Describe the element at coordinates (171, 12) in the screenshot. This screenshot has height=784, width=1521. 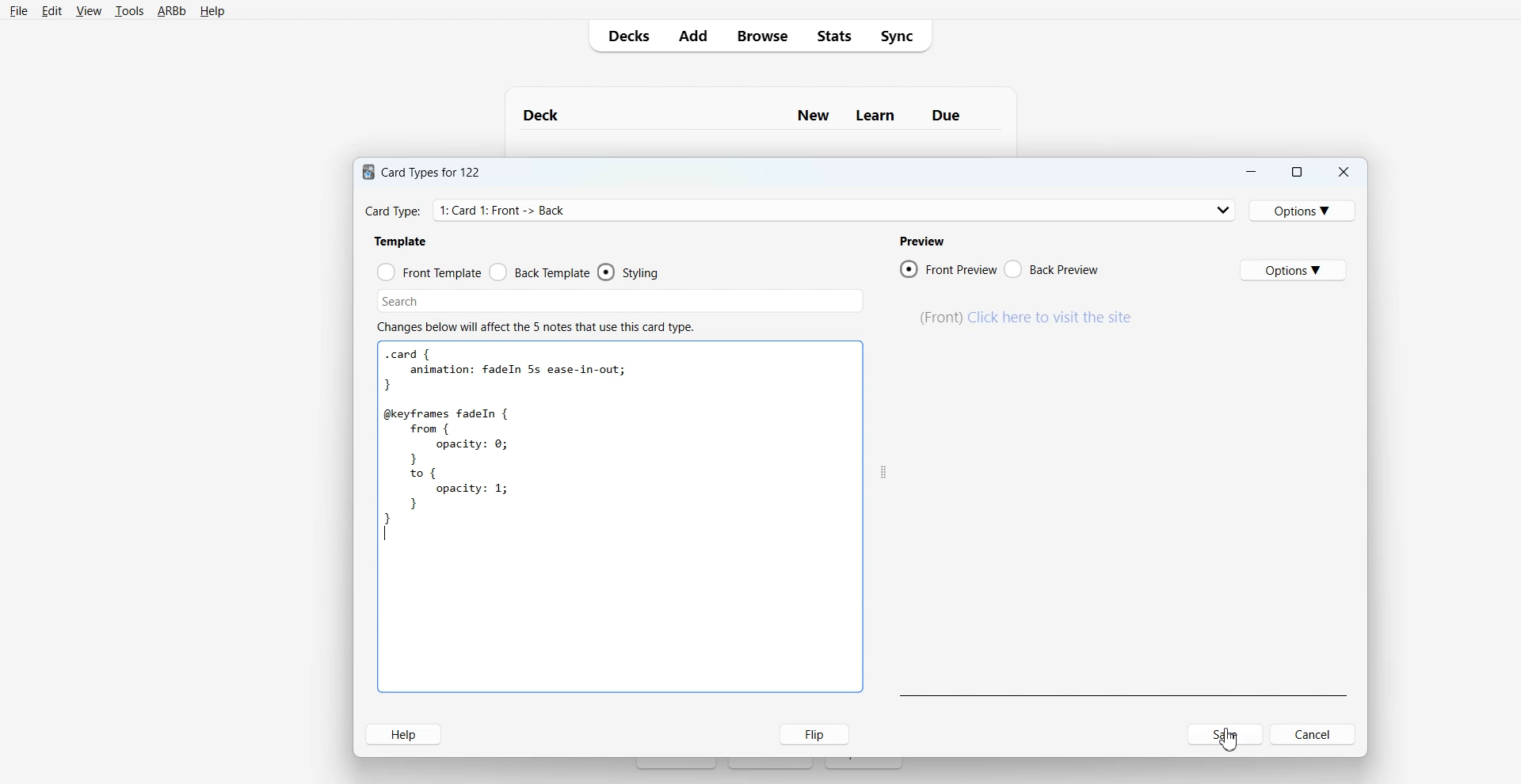
I see `ARBb` at that location.